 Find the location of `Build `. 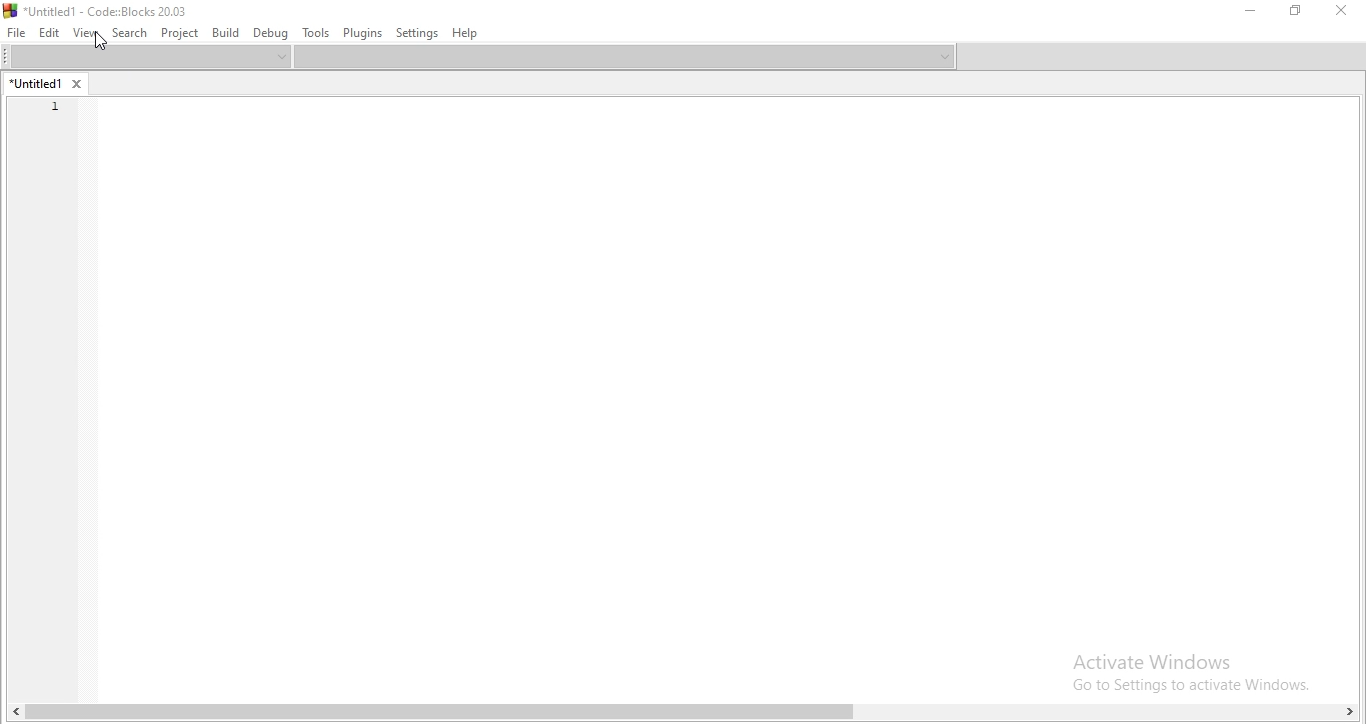

Build  is located at coordinates (223, 33).